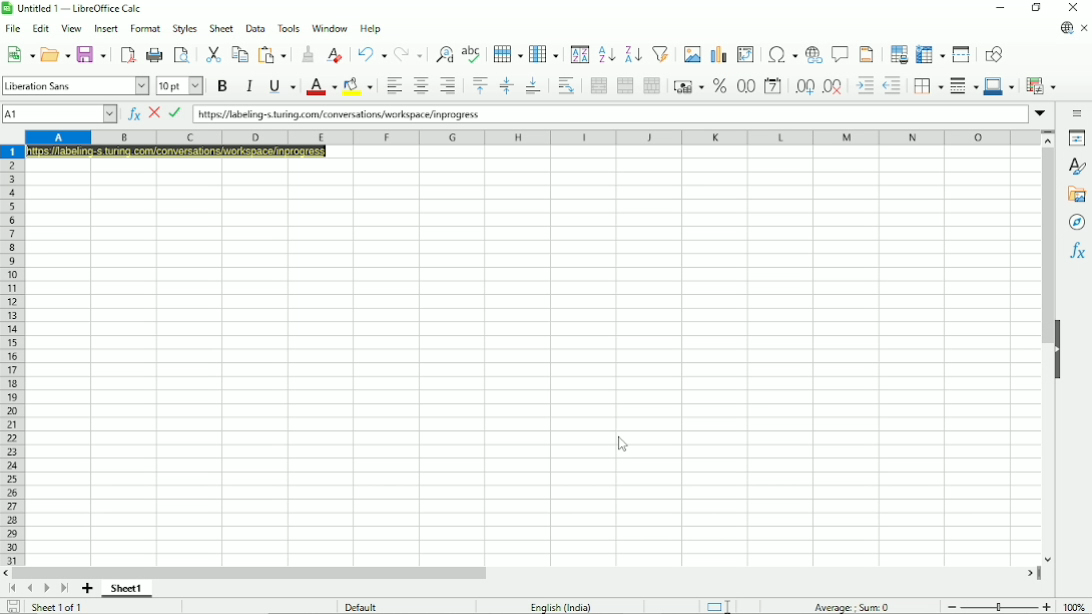 This screenshot has width=1092, height=614. Describe the element at coordinates (1078, 114) in the screenshot. I see `Sidebar settings` at that location.